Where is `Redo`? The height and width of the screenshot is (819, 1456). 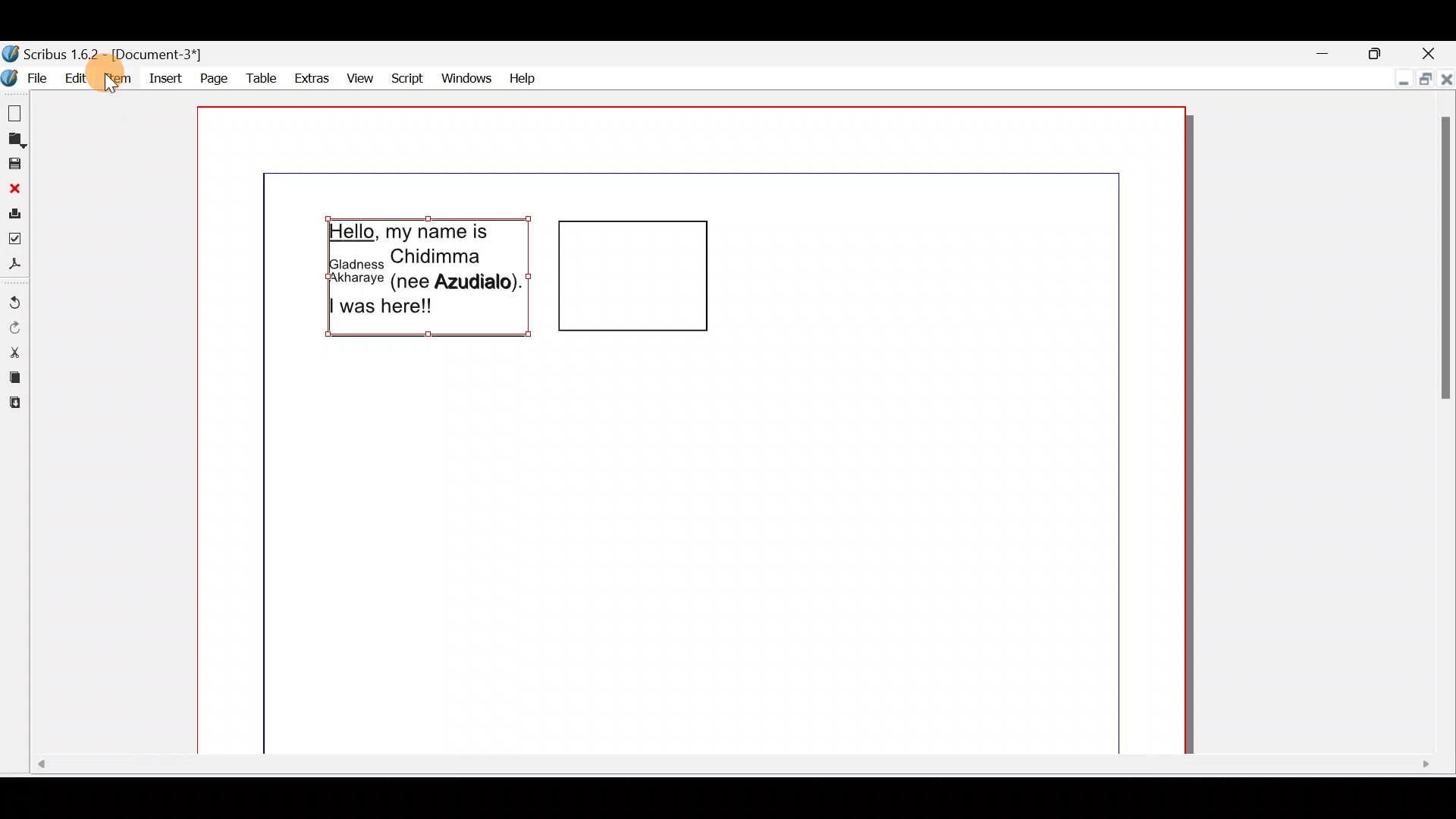
Redo is located at coordinates (14, 327).